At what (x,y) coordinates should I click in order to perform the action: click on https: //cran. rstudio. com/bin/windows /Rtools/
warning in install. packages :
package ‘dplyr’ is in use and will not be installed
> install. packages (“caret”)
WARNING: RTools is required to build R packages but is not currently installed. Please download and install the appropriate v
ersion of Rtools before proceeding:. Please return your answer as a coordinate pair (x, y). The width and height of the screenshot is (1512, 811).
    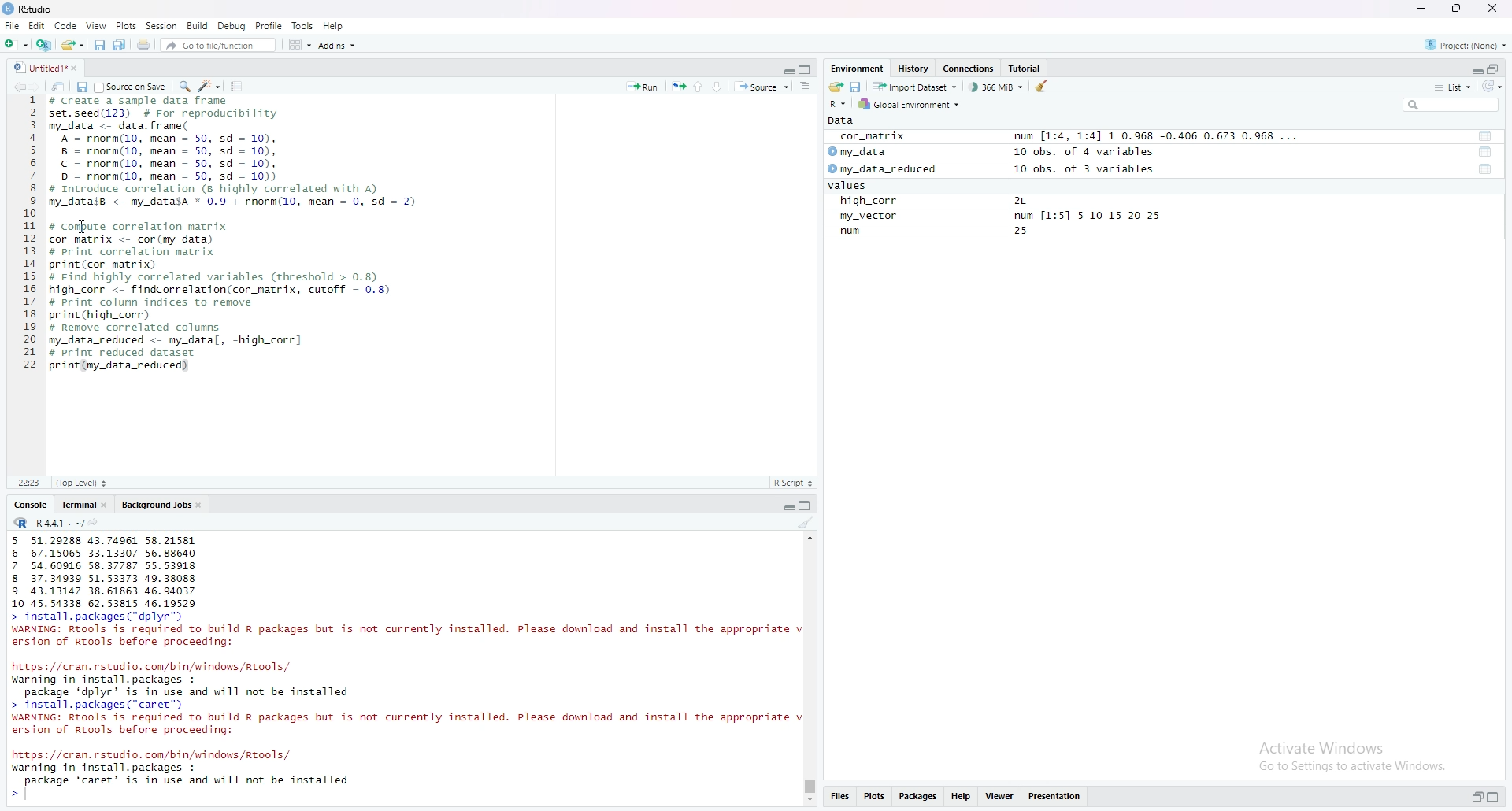
    Looking at the image, I should click on (405, 701).